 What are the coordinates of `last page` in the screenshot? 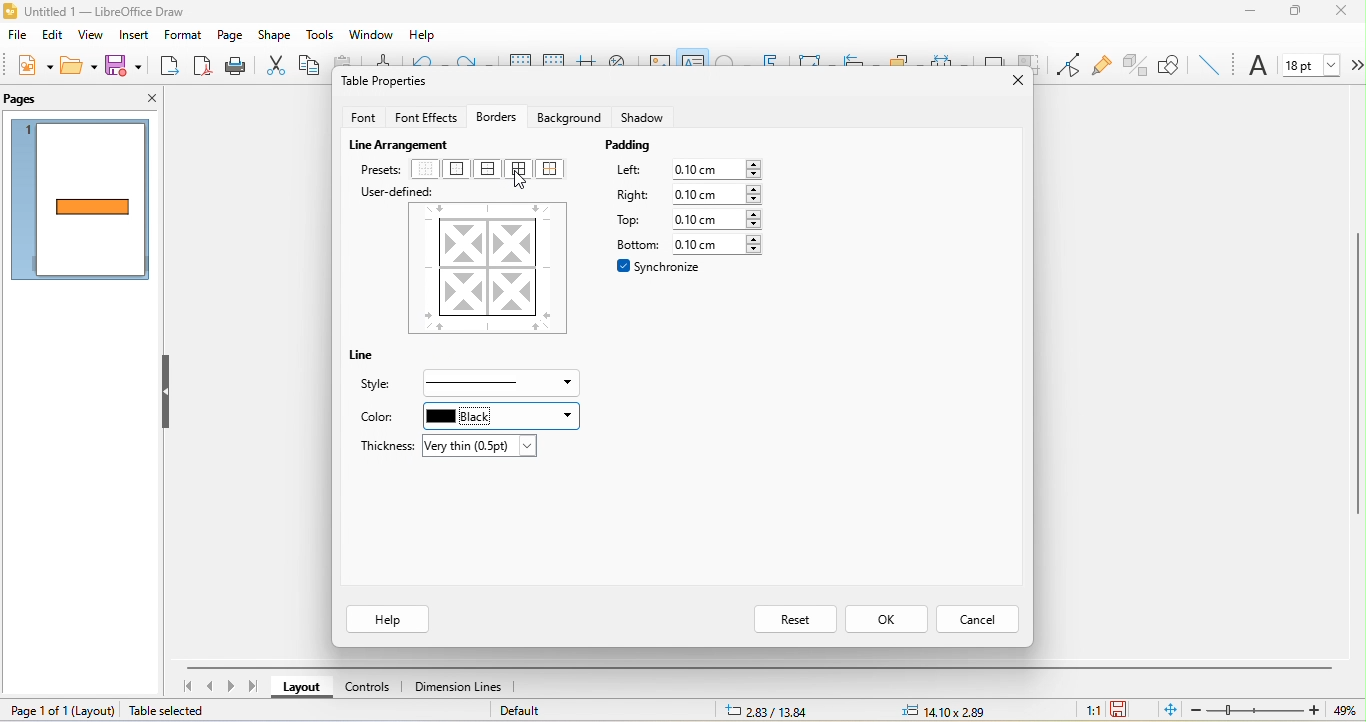 It's located at (258, 688).